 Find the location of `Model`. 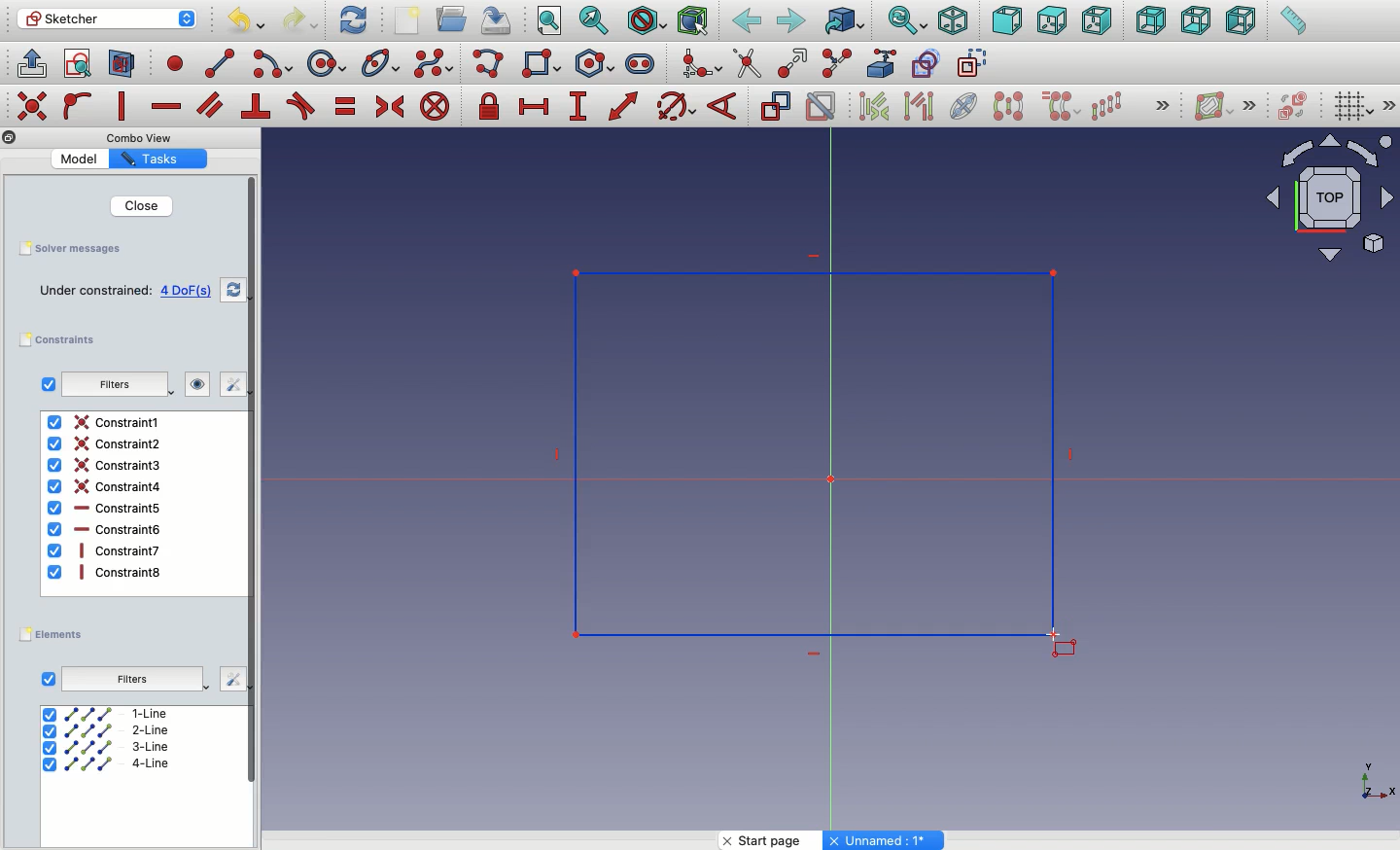

Model is located at coordinates (83, 159).